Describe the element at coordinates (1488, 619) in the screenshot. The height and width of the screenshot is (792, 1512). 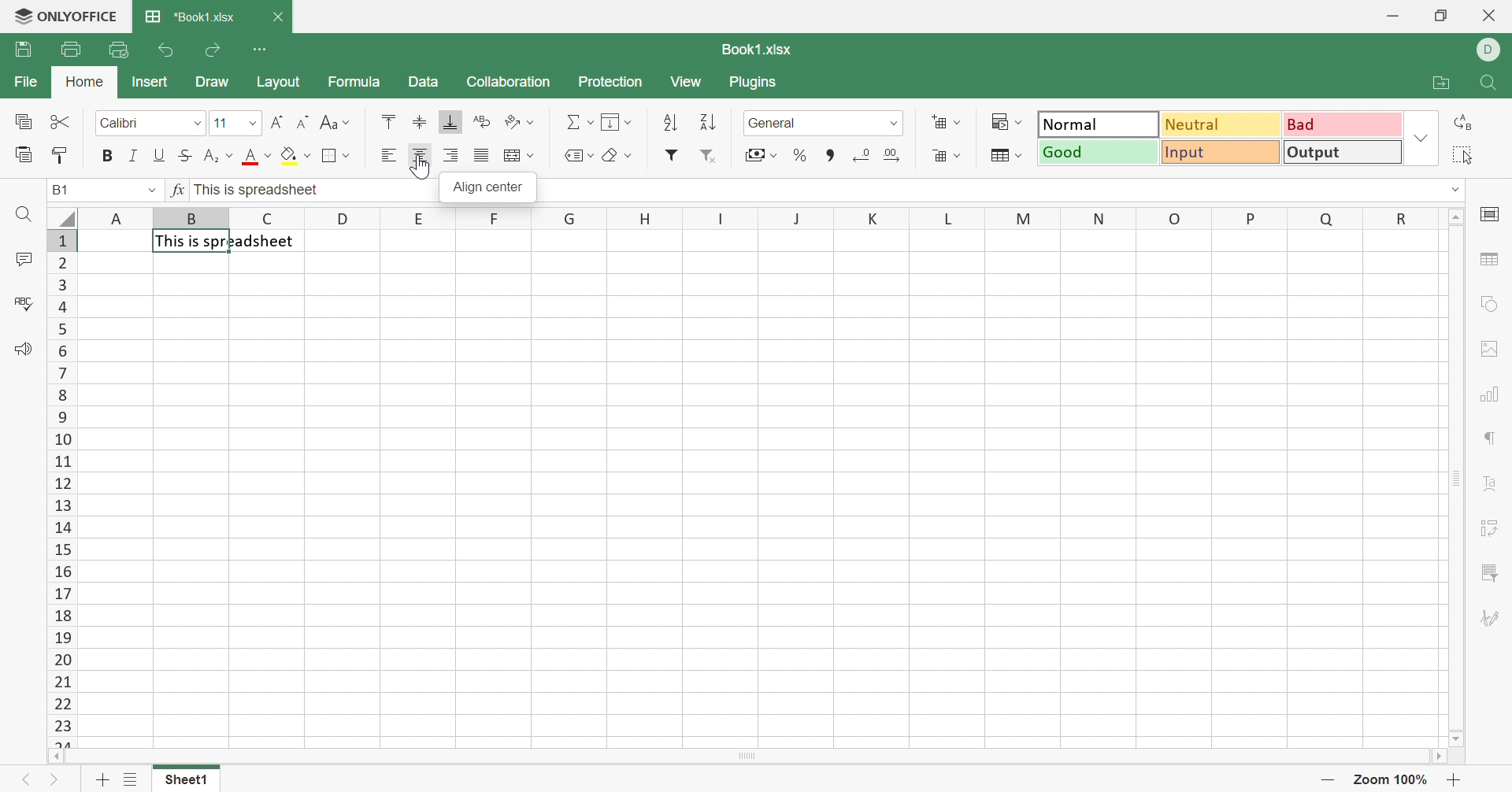
I see `Signature settings` at that location.